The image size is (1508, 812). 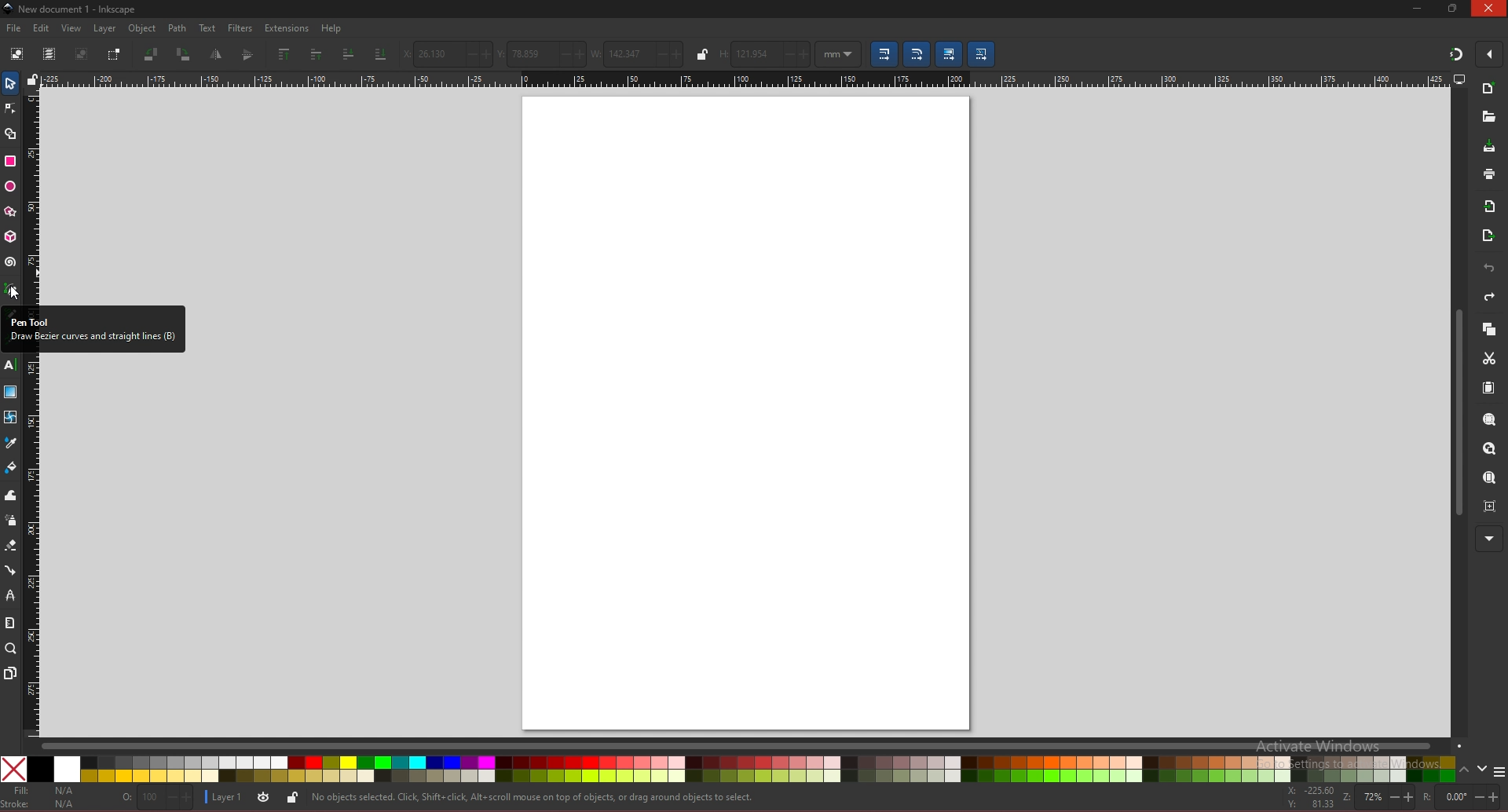 What do you see at coordinates (1491, 8) in the screenshot?
I see `close` at bounding box center [1491, 8].